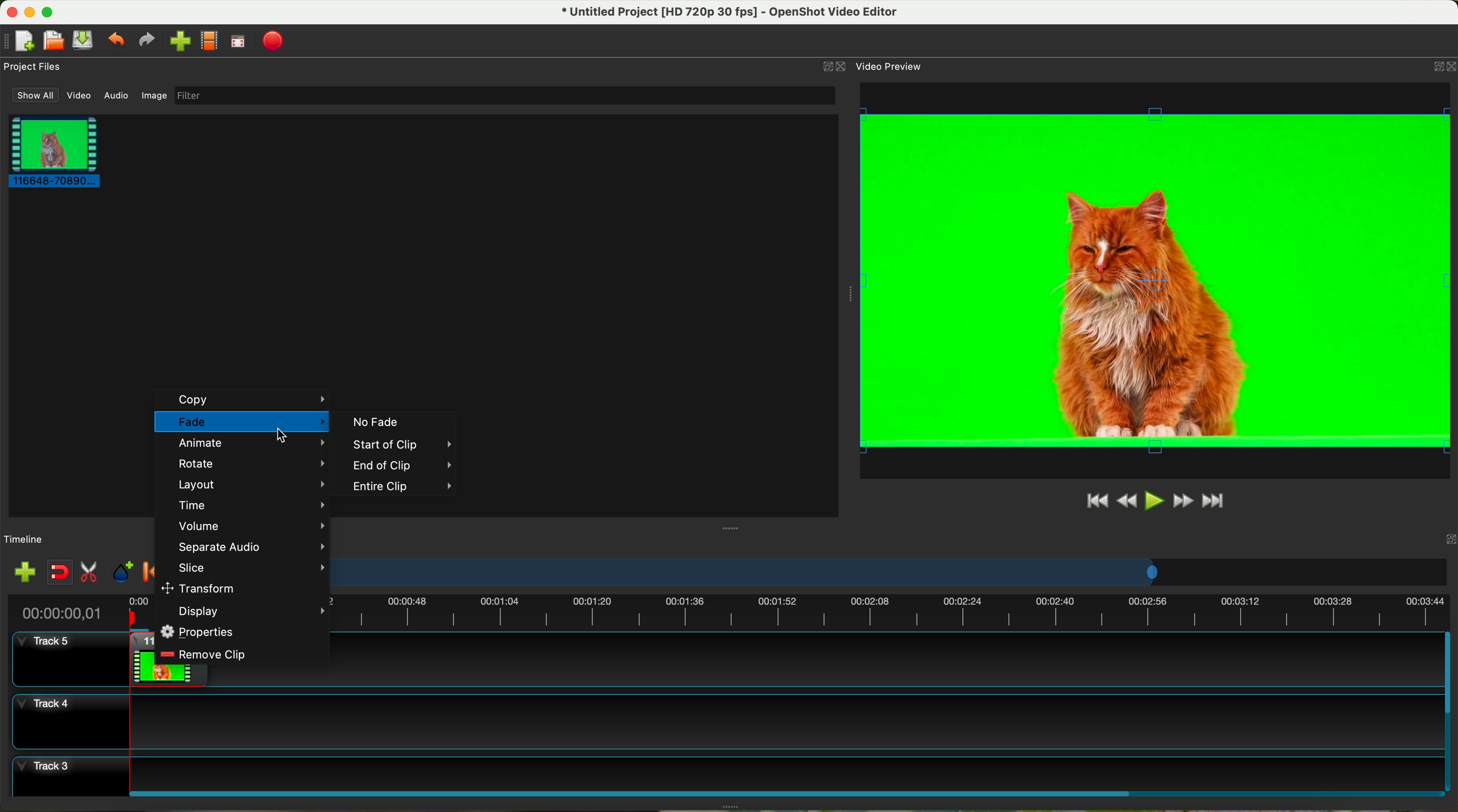 This screenshot has width=1458, height=812. What do you see at coordinates (80, 96) in the screenshot?
I see `video` at bounding box center [80, 96].